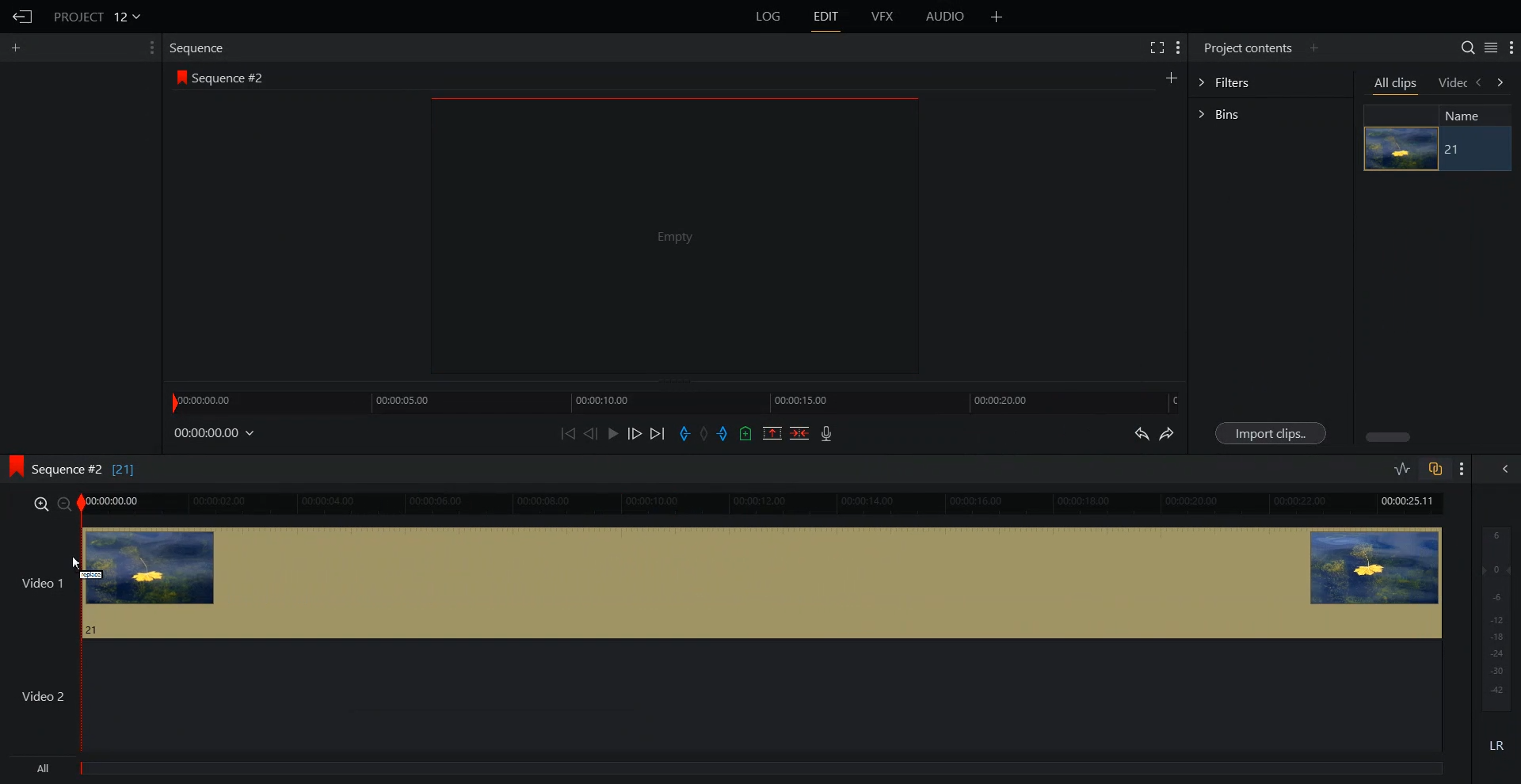  I want to click on Name, so click(1470, 115).